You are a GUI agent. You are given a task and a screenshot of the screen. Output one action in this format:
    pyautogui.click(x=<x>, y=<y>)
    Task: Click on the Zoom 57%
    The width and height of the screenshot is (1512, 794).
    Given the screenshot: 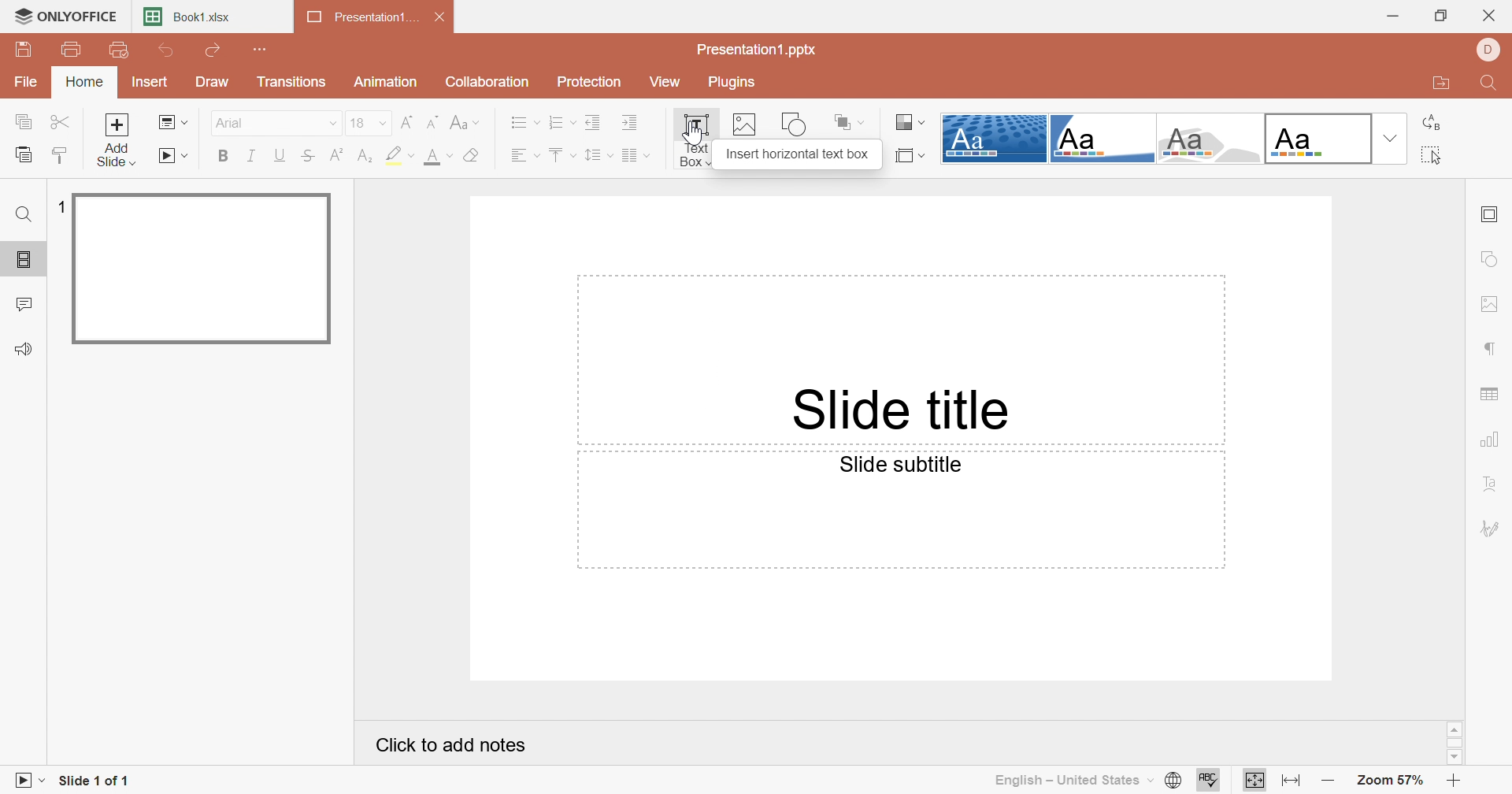 What is the action you would take?
    pyautogui.click(x=1392, y=780)
    